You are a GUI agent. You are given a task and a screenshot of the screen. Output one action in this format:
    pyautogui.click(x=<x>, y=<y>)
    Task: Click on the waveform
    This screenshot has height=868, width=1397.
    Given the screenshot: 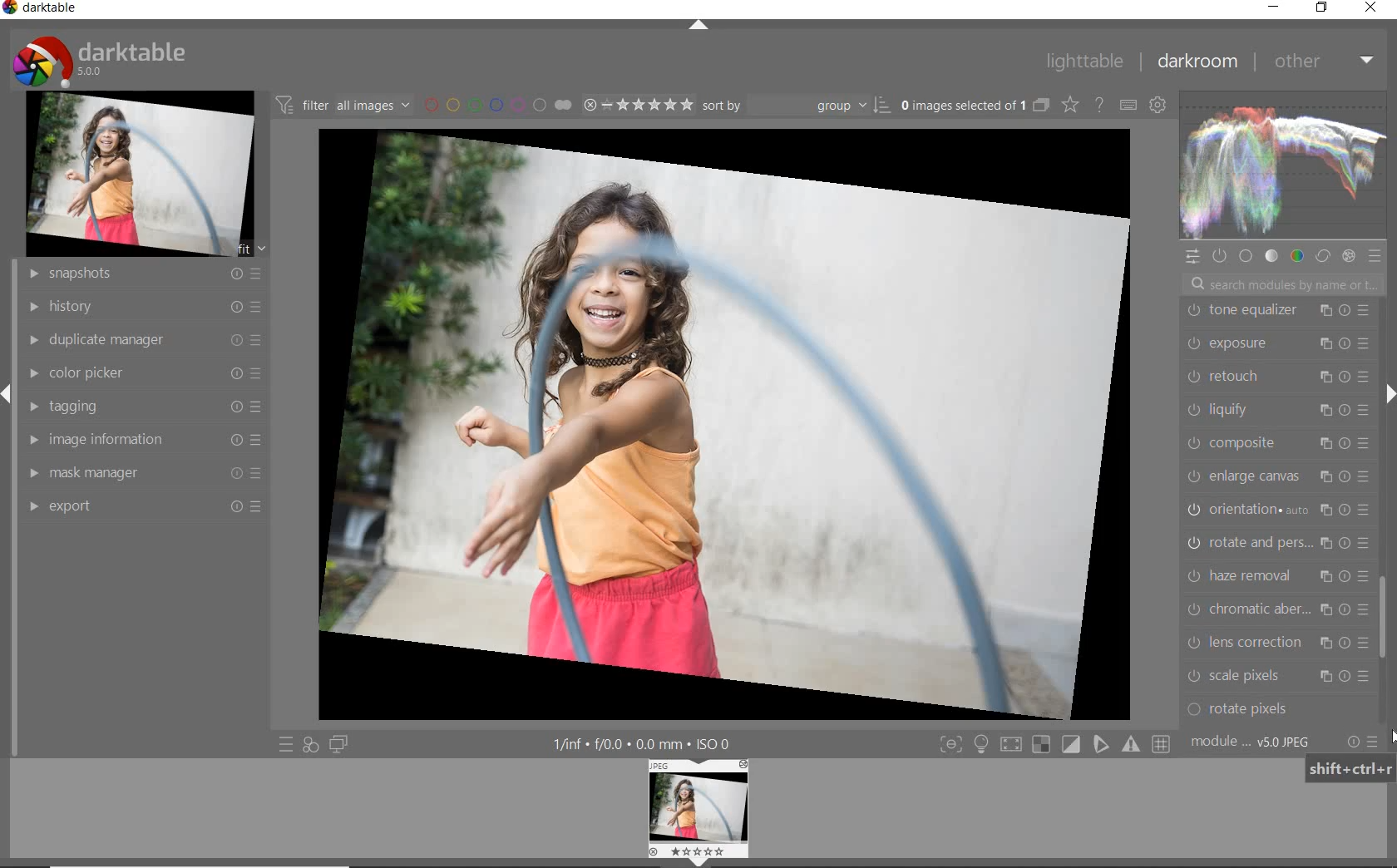 What is the action you would take?
    pyautogui.click(x=1281, y=165)
    